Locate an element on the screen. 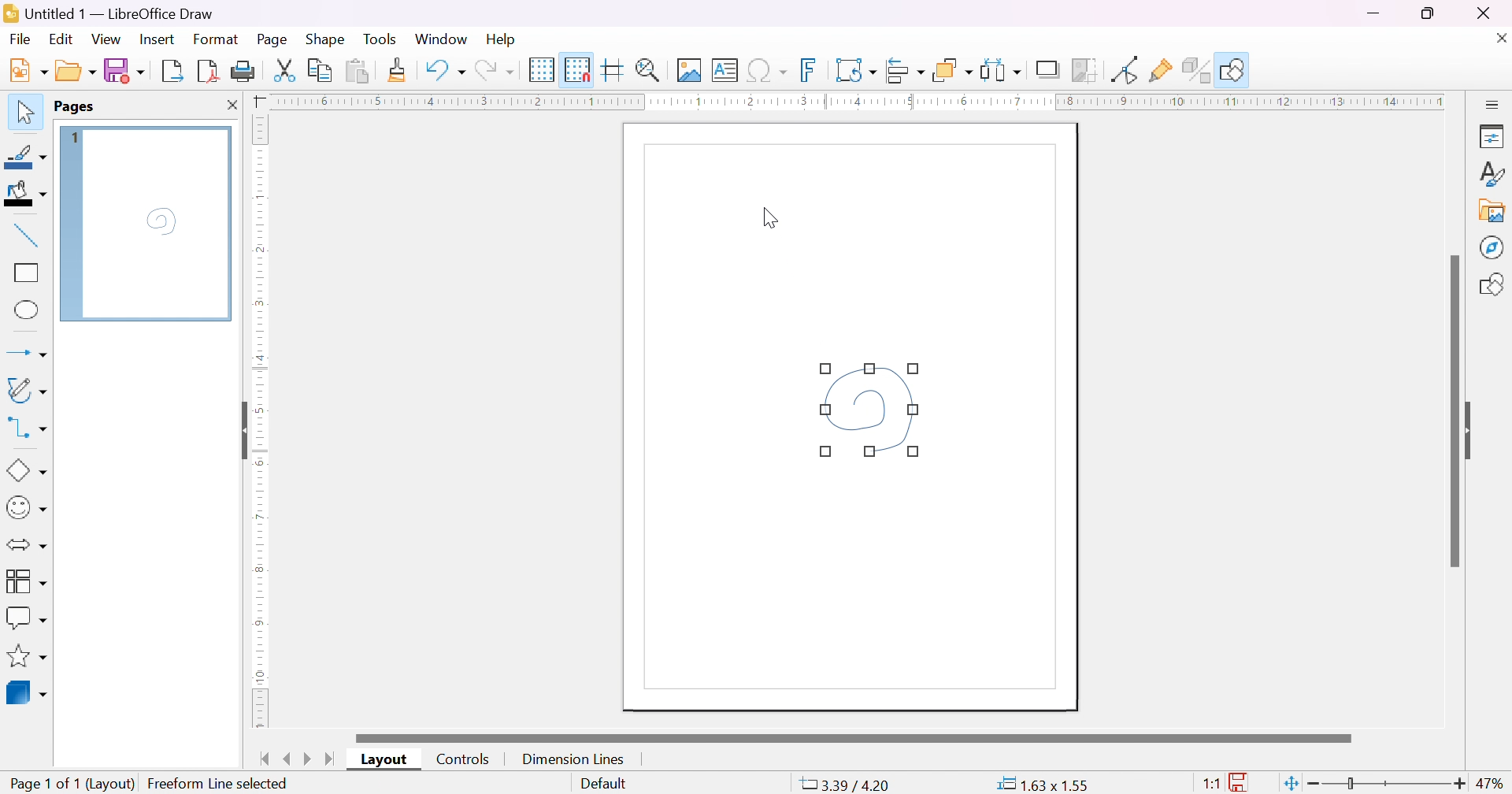 The image size is (1512, 794). -7.49/4.29 is located at coordinates (846, 785).